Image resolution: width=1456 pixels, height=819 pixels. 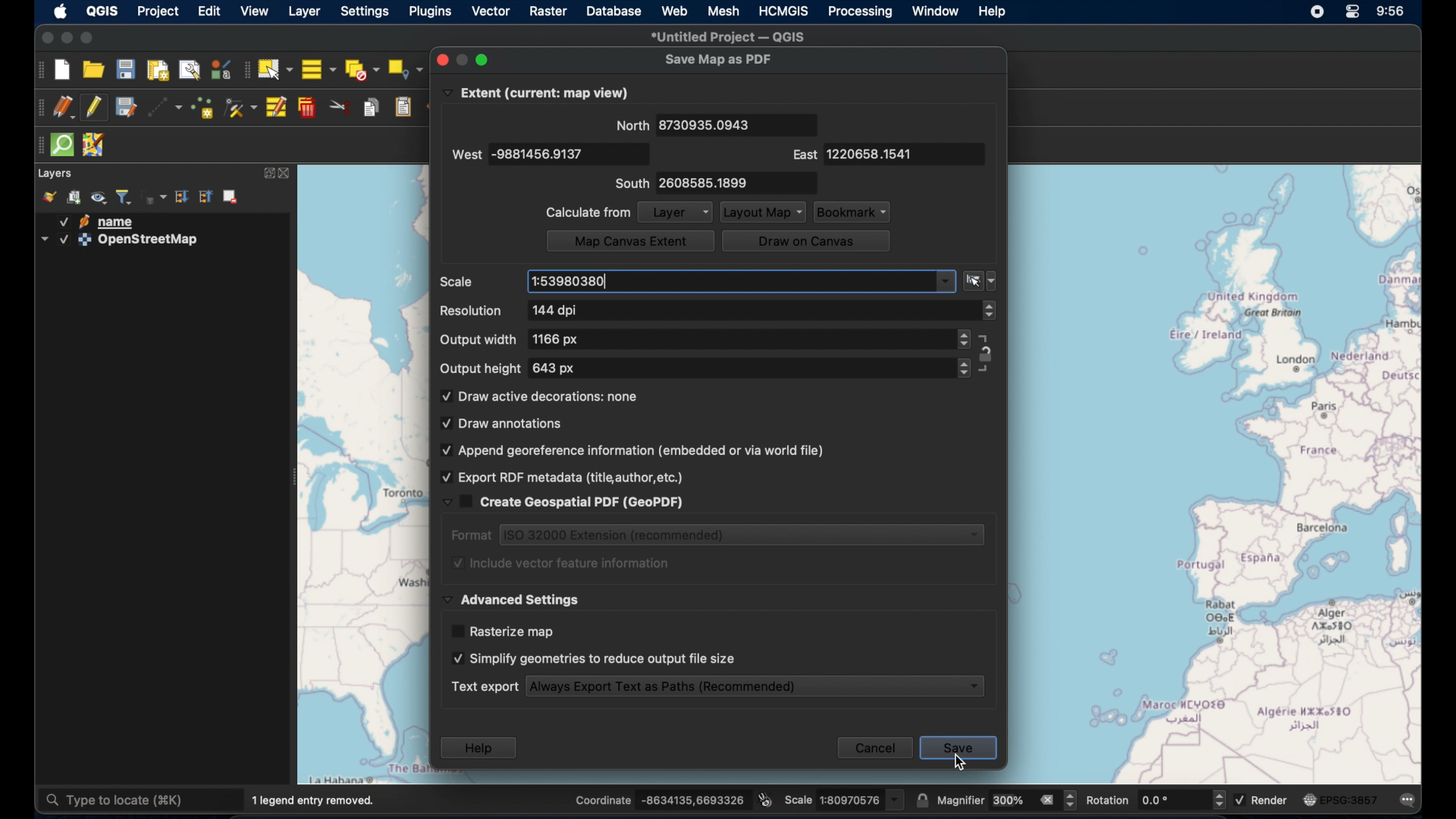 I want to click on save, so click(x=959, y=748).